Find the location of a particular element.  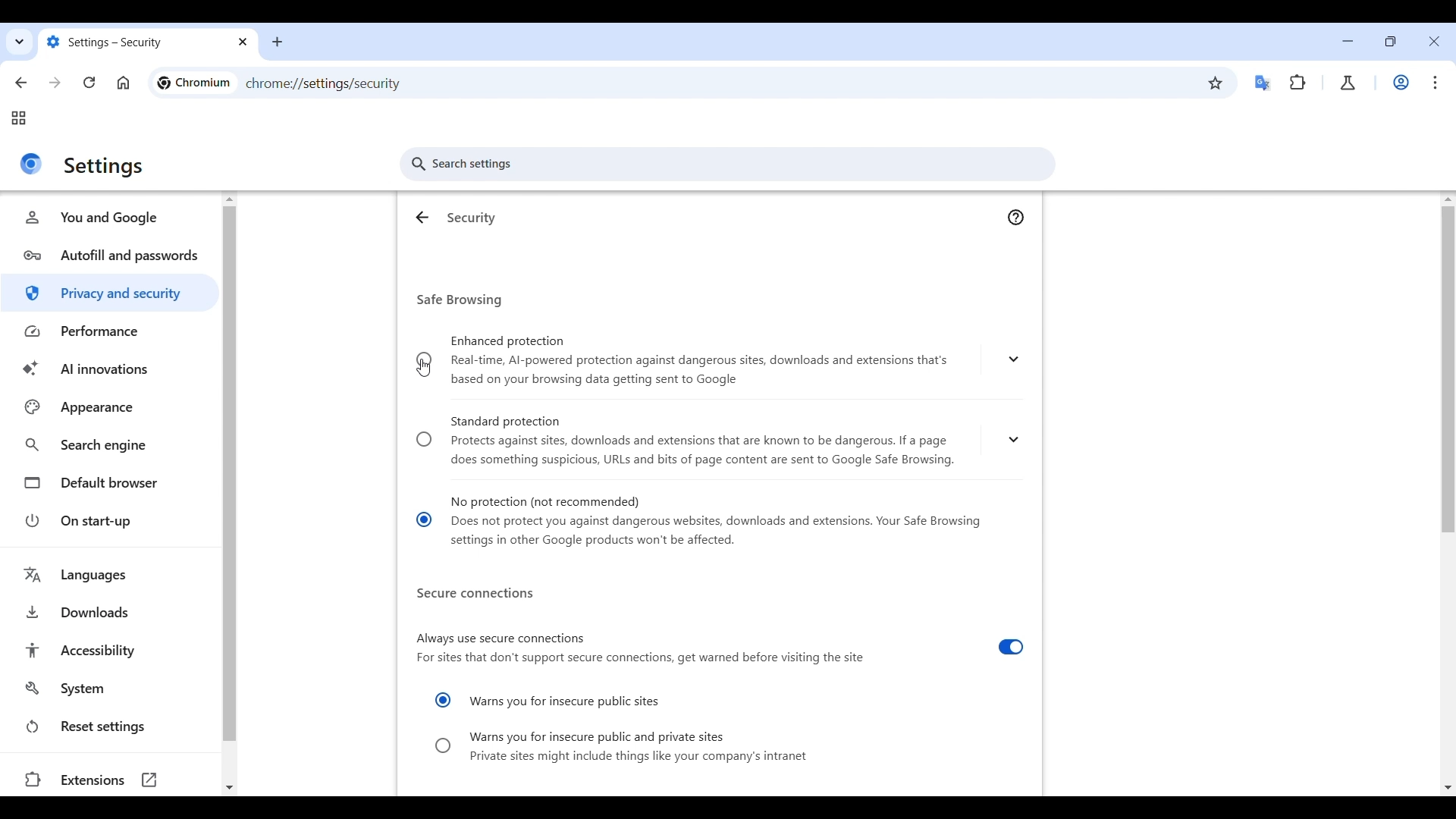

Secure connections is located at coordinates (475, 593).